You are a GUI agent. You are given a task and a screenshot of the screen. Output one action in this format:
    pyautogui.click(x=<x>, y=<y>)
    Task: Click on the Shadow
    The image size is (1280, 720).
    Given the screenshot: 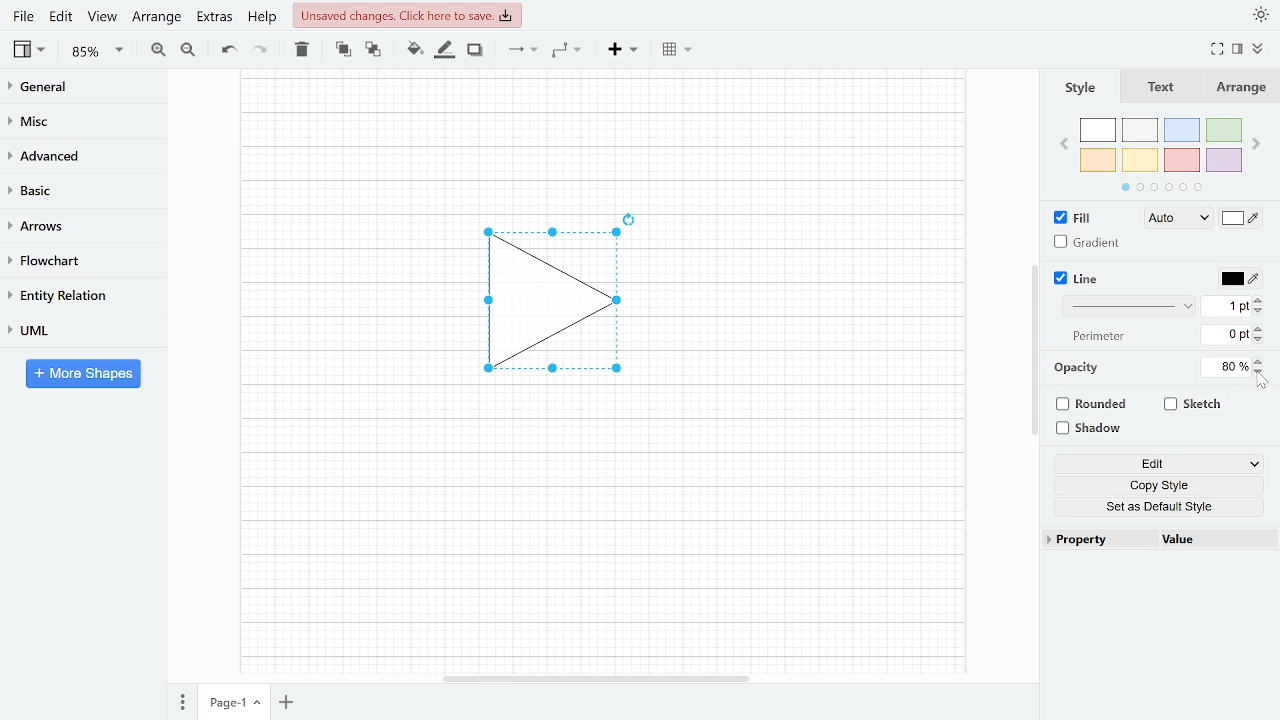 What is the action you would take?
    pyautogui.click(x=475, y=50)
    